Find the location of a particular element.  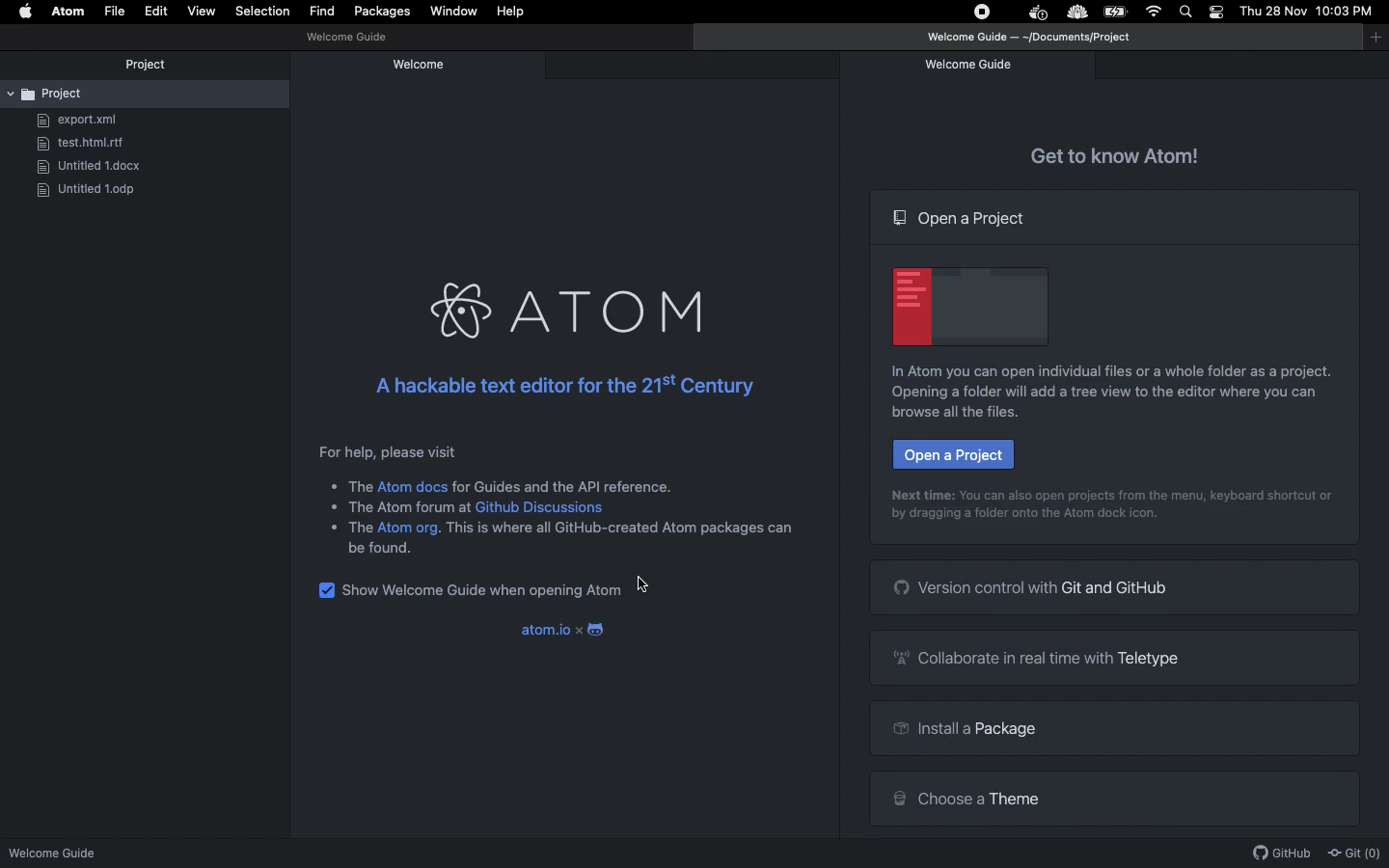

Time is located at coordinates (1348, 13).